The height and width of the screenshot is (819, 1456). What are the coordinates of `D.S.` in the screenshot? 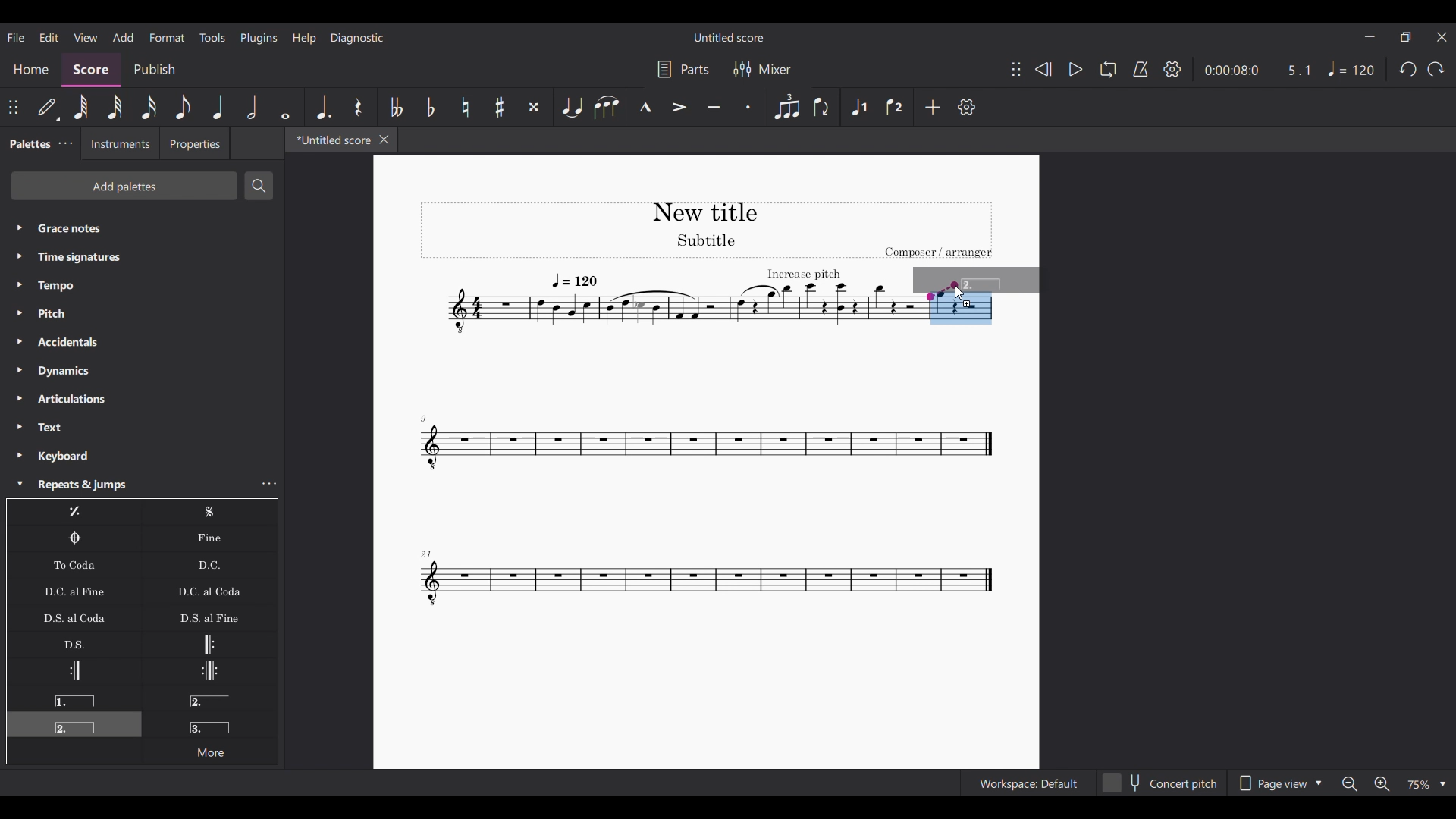 It's located at (74, 644).